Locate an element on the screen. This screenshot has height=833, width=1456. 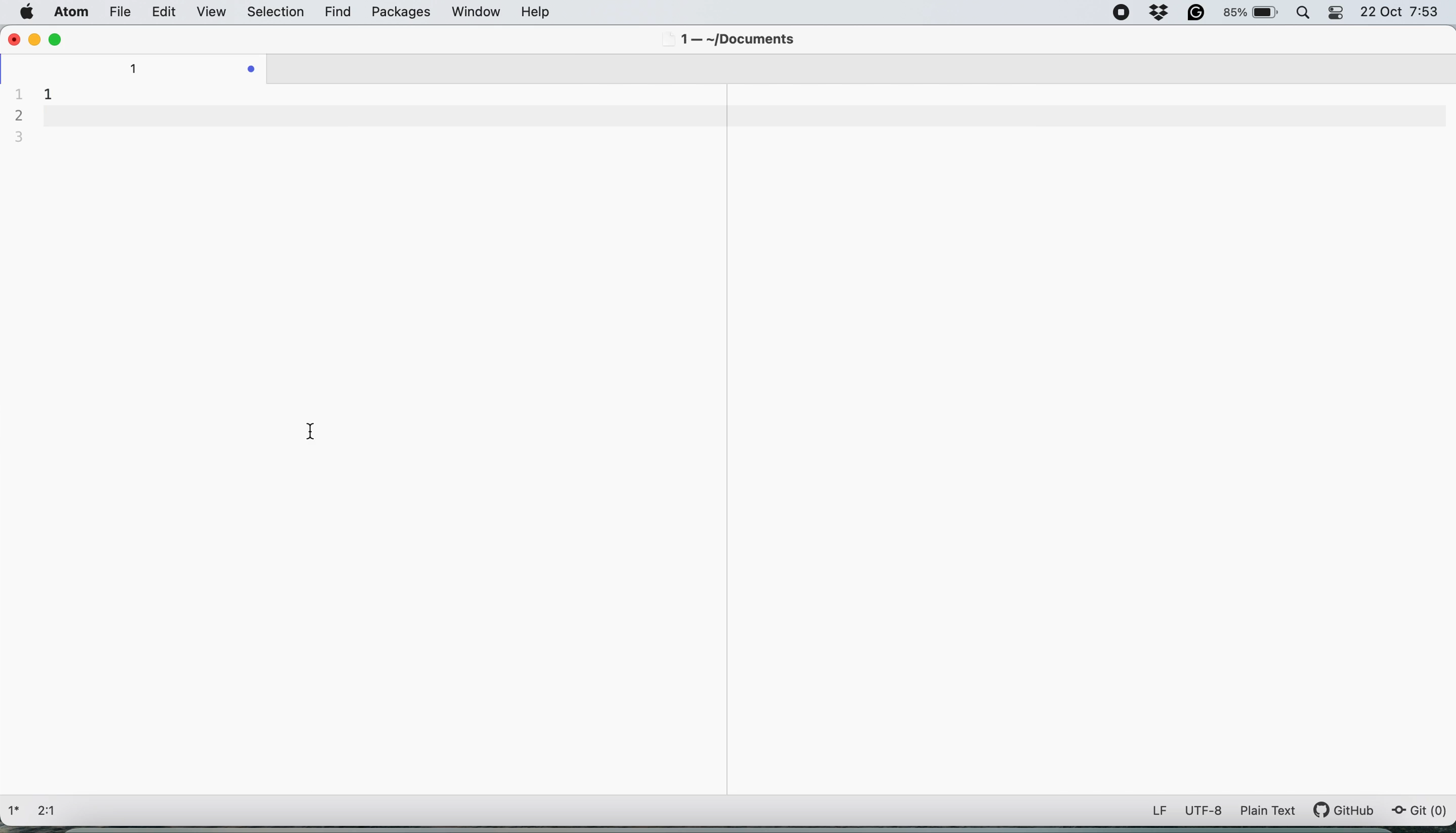
1 is located at coordinates (47, 91).